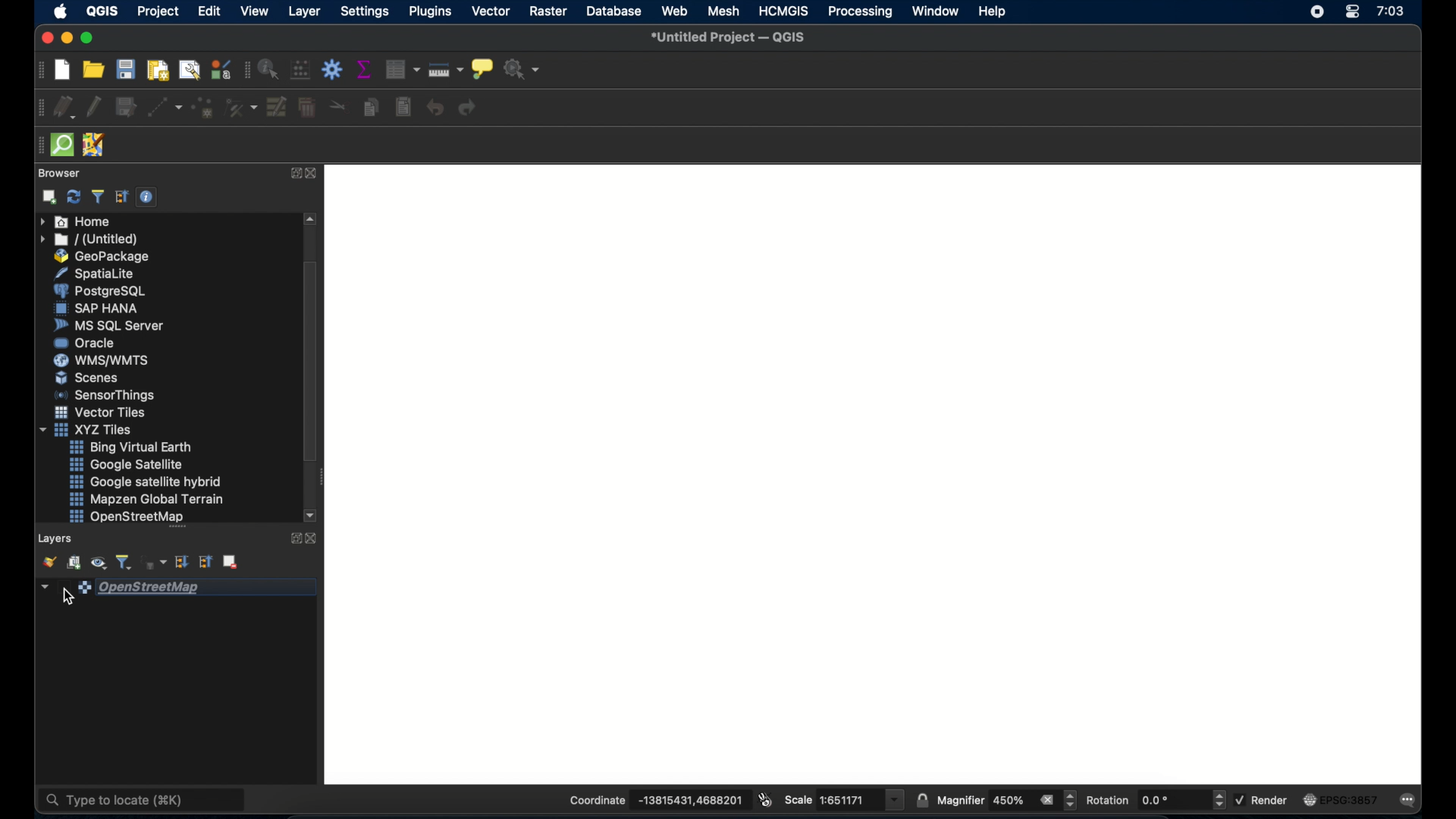  Describe the element at coordinates (429, 11) in the screenshot. I see `plugins` at that location.